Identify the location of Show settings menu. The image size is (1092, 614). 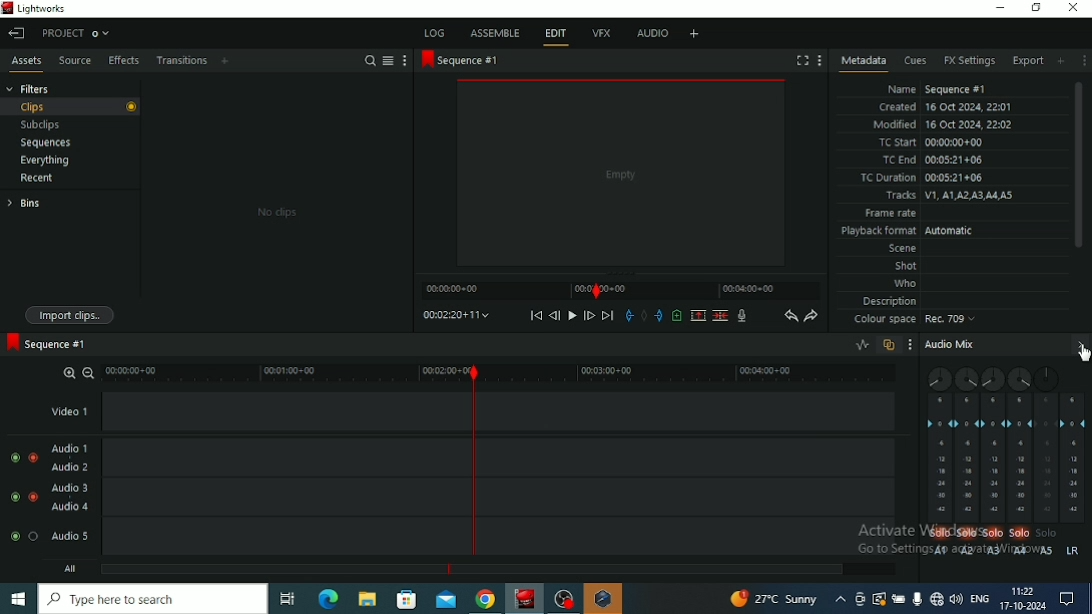
(819, 60).